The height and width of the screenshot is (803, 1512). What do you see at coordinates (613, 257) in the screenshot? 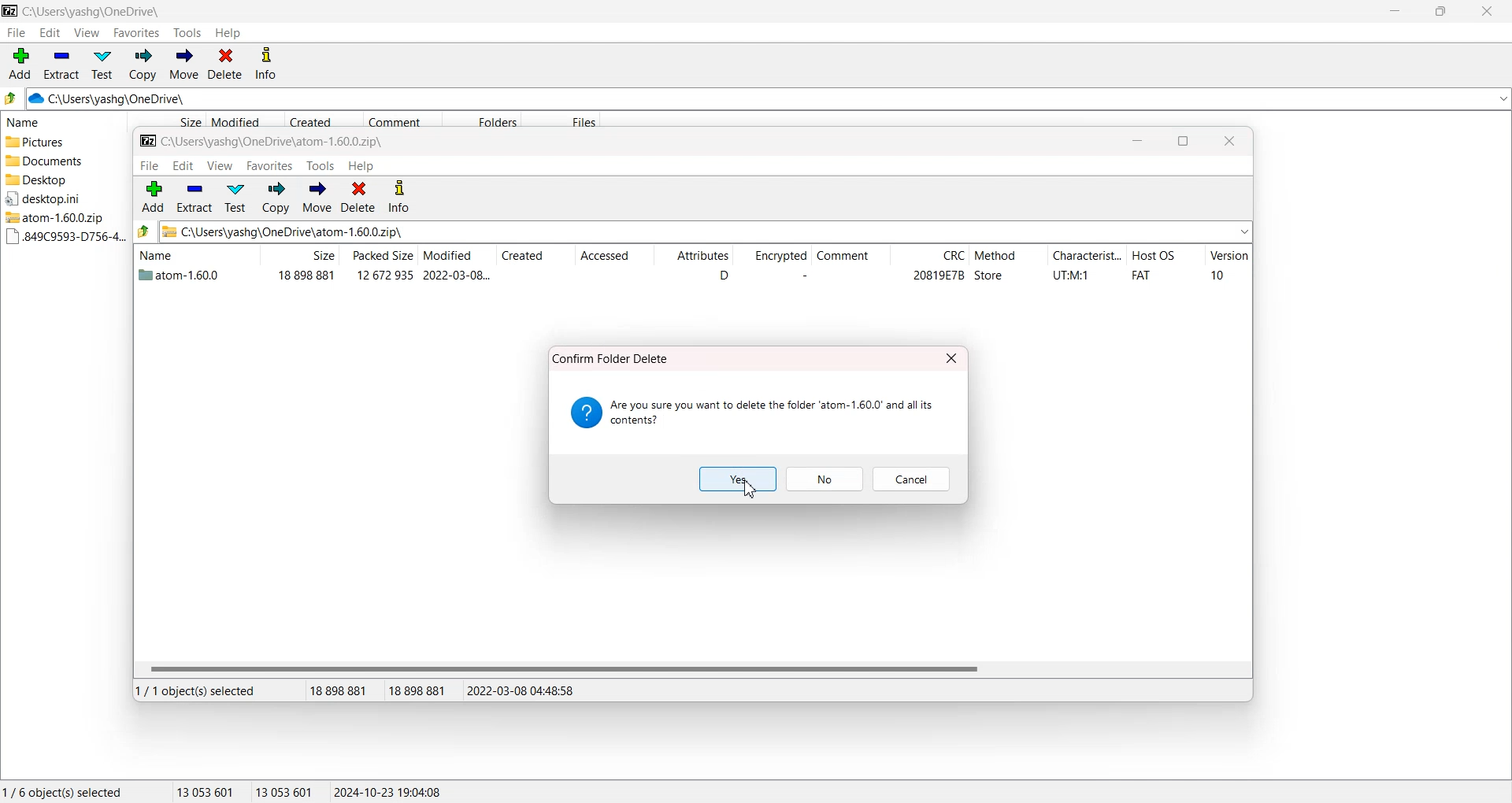
I see `Accessed` at bounding box center [613, 257].